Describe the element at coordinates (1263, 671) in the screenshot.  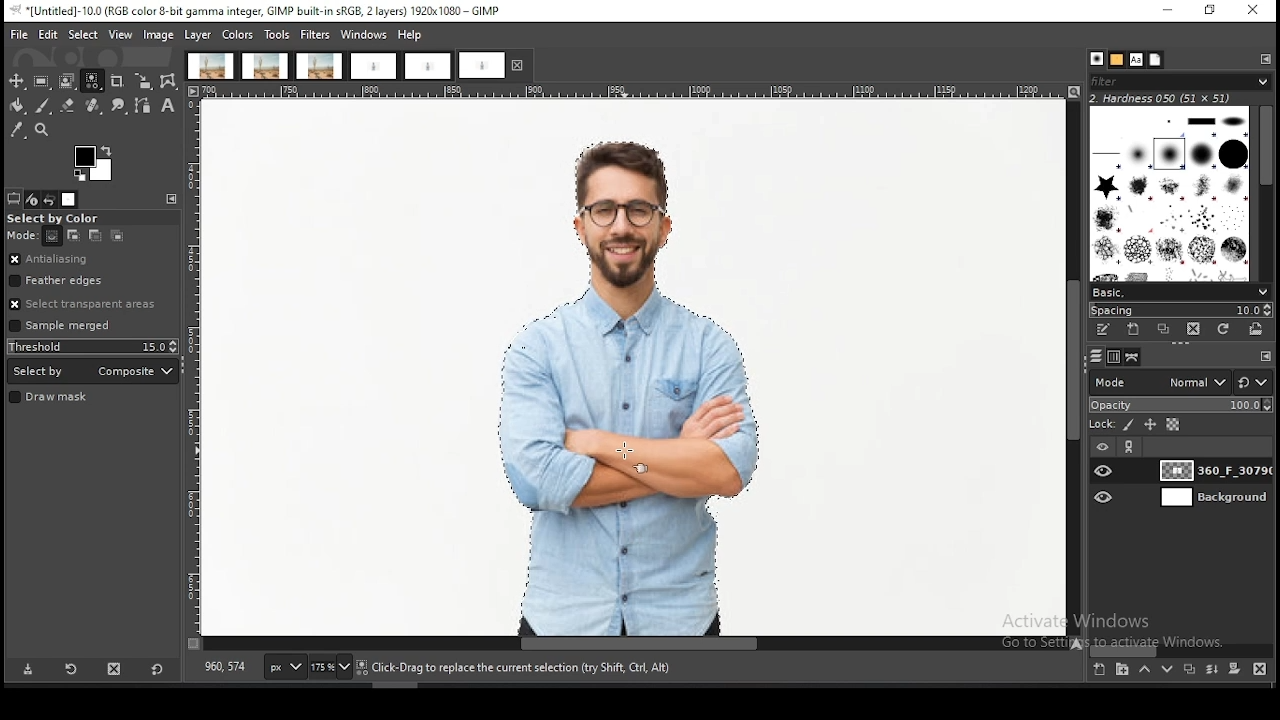
I see `delete layer` at that location.